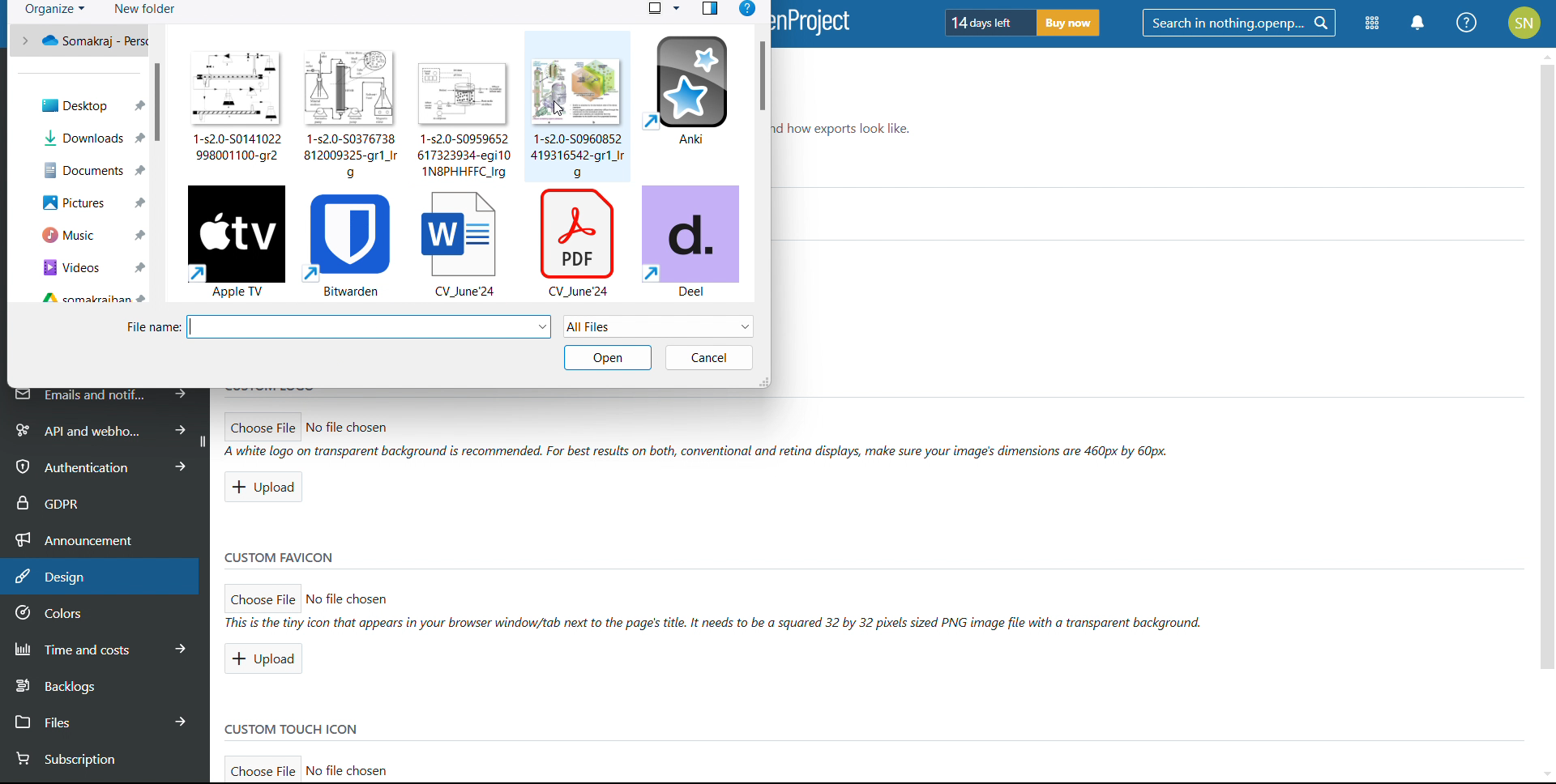 Image resolution: width=1556 pixels, height=784 pixels. Describe the element at coordinates (1546, 53) in the screenshot. I see `scroll up` at that location.